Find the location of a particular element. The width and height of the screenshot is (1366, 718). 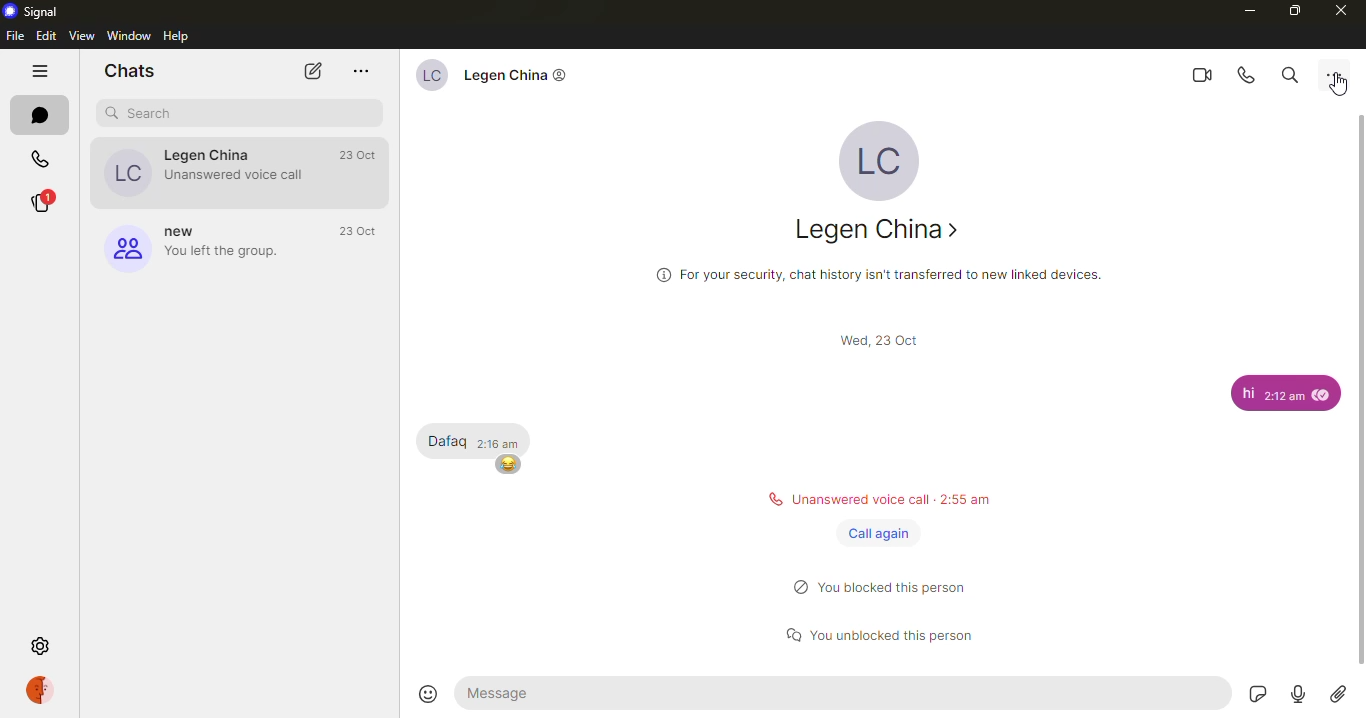

record is located at coordinates (1300, 696).